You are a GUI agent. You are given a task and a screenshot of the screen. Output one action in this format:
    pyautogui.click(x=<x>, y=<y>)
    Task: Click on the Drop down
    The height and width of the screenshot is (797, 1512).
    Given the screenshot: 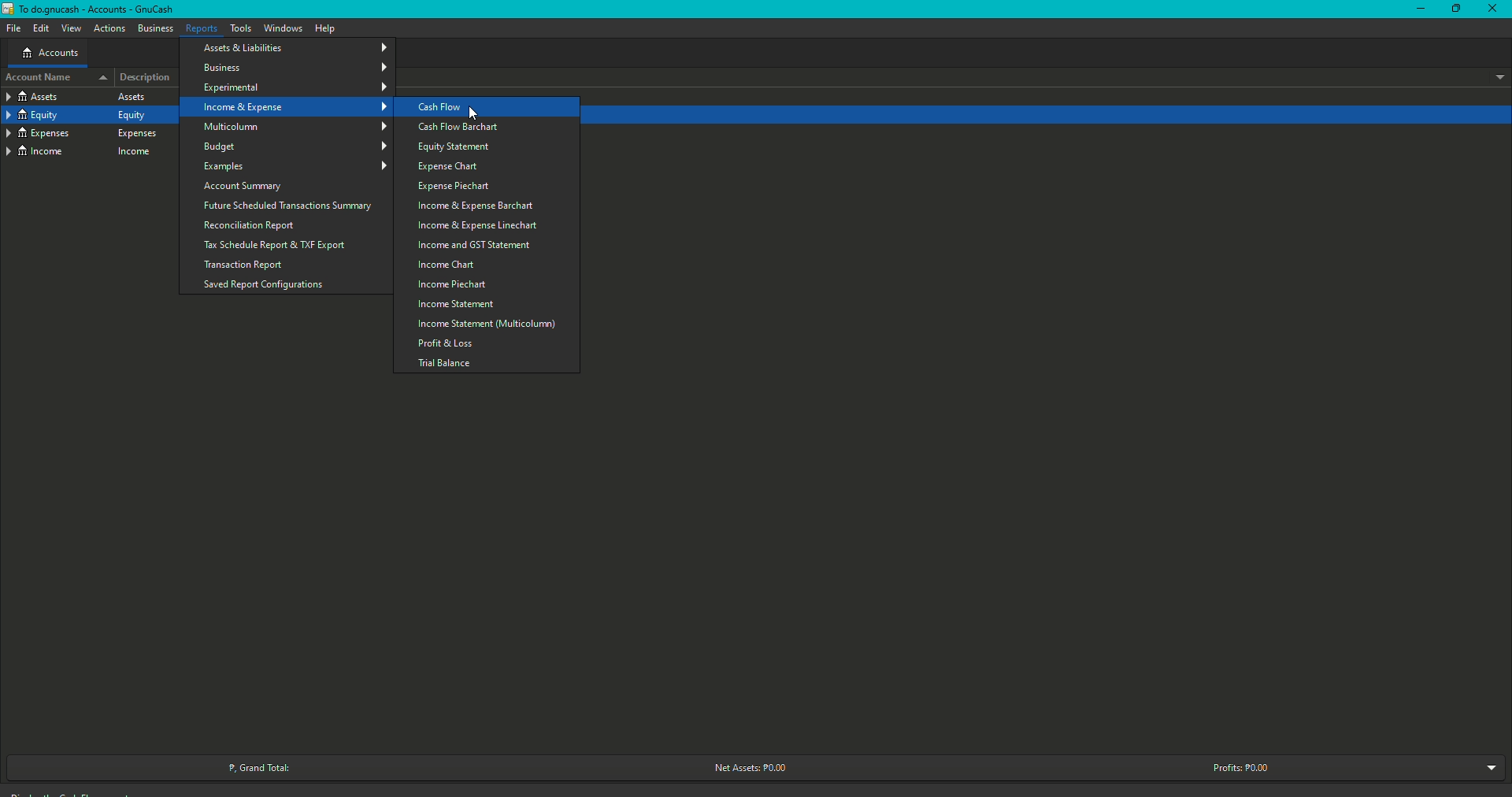 What is the action you would take?
    pyautogui.click(x=1497, y=76)
    